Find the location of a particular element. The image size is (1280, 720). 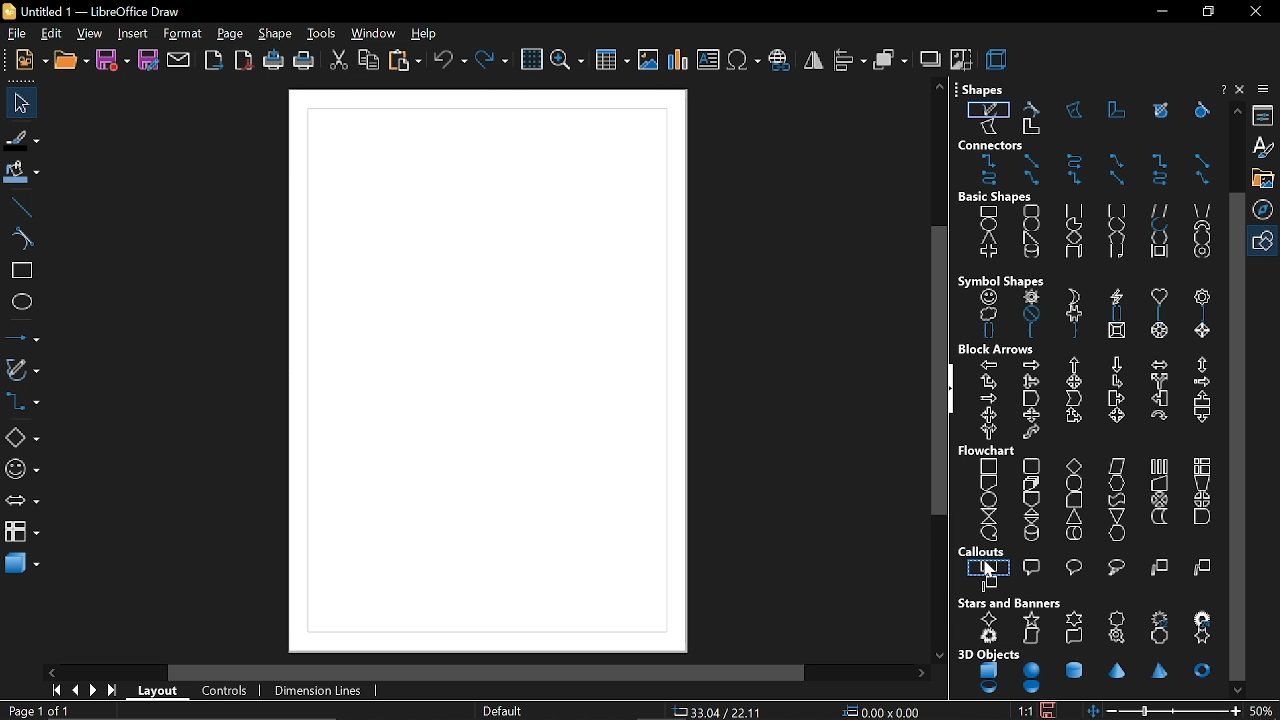

line connector is located at coordinates (1031, 181).